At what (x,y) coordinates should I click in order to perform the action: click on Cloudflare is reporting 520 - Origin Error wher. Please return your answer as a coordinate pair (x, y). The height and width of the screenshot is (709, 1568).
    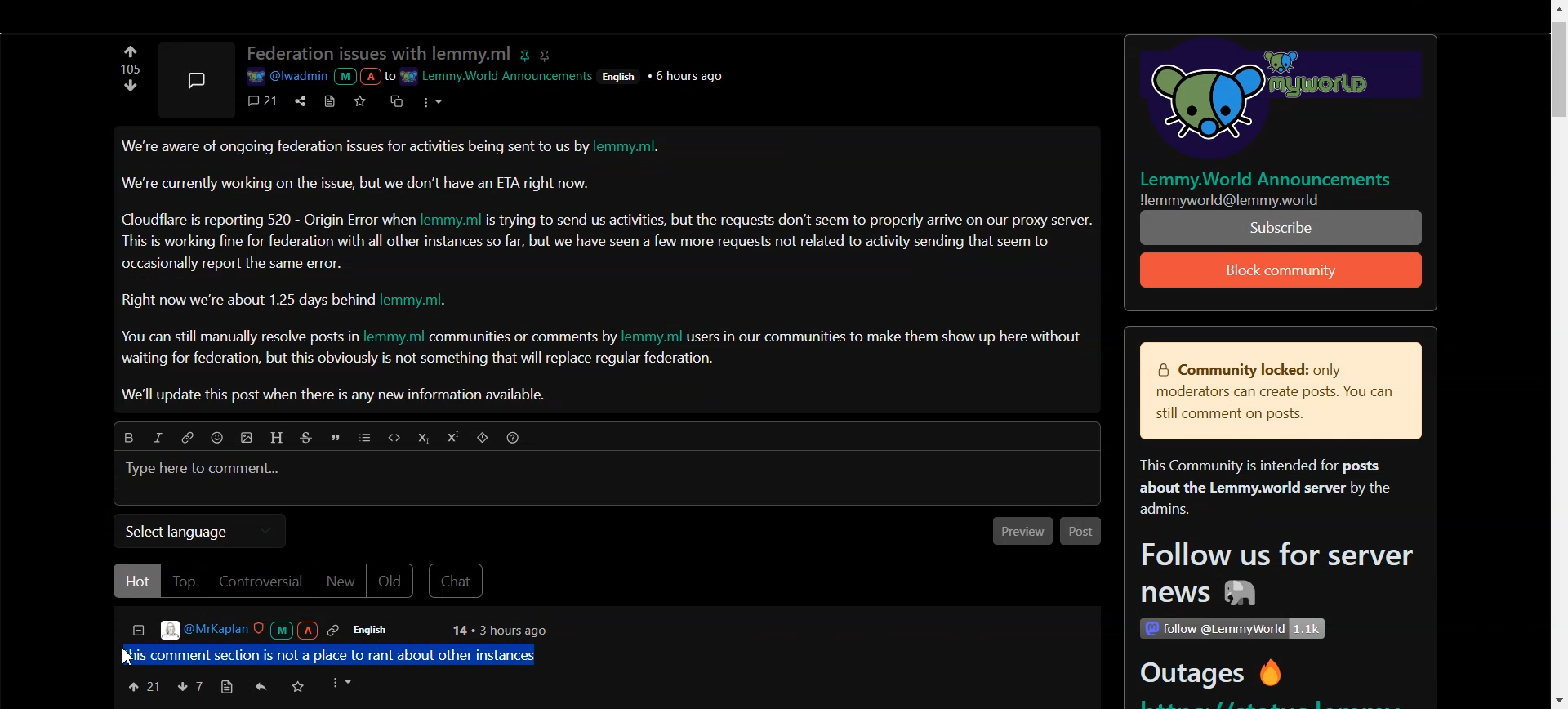
    Looking at the image, I should click on (269, 219).